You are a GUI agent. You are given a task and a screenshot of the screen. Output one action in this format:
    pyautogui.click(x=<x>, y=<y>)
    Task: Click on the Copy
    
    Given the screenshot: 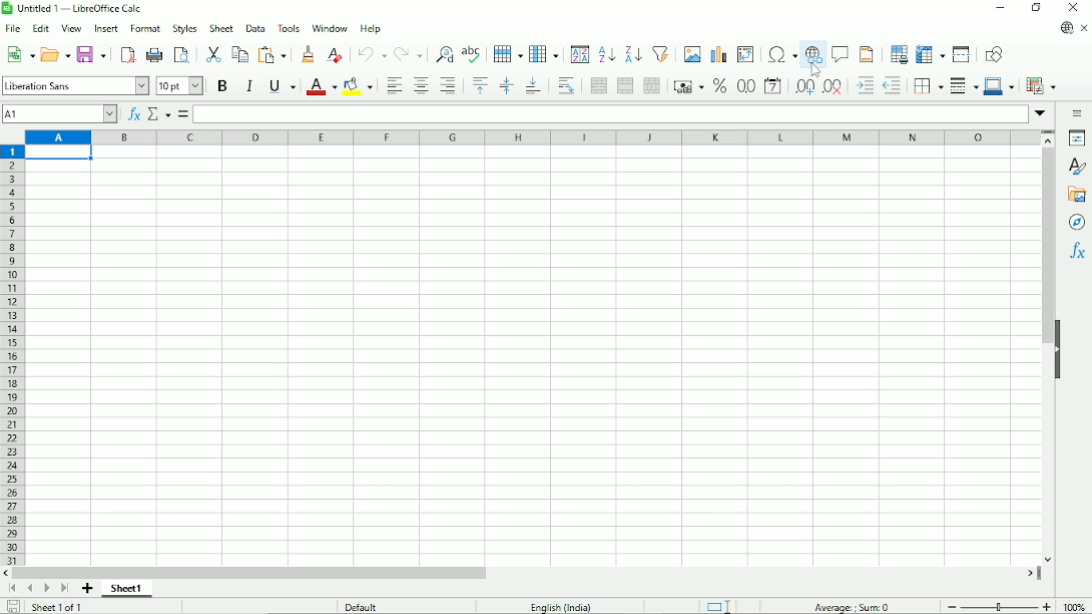 What is the action you would take?
    pyautogui.click(x=239, y=54)
    